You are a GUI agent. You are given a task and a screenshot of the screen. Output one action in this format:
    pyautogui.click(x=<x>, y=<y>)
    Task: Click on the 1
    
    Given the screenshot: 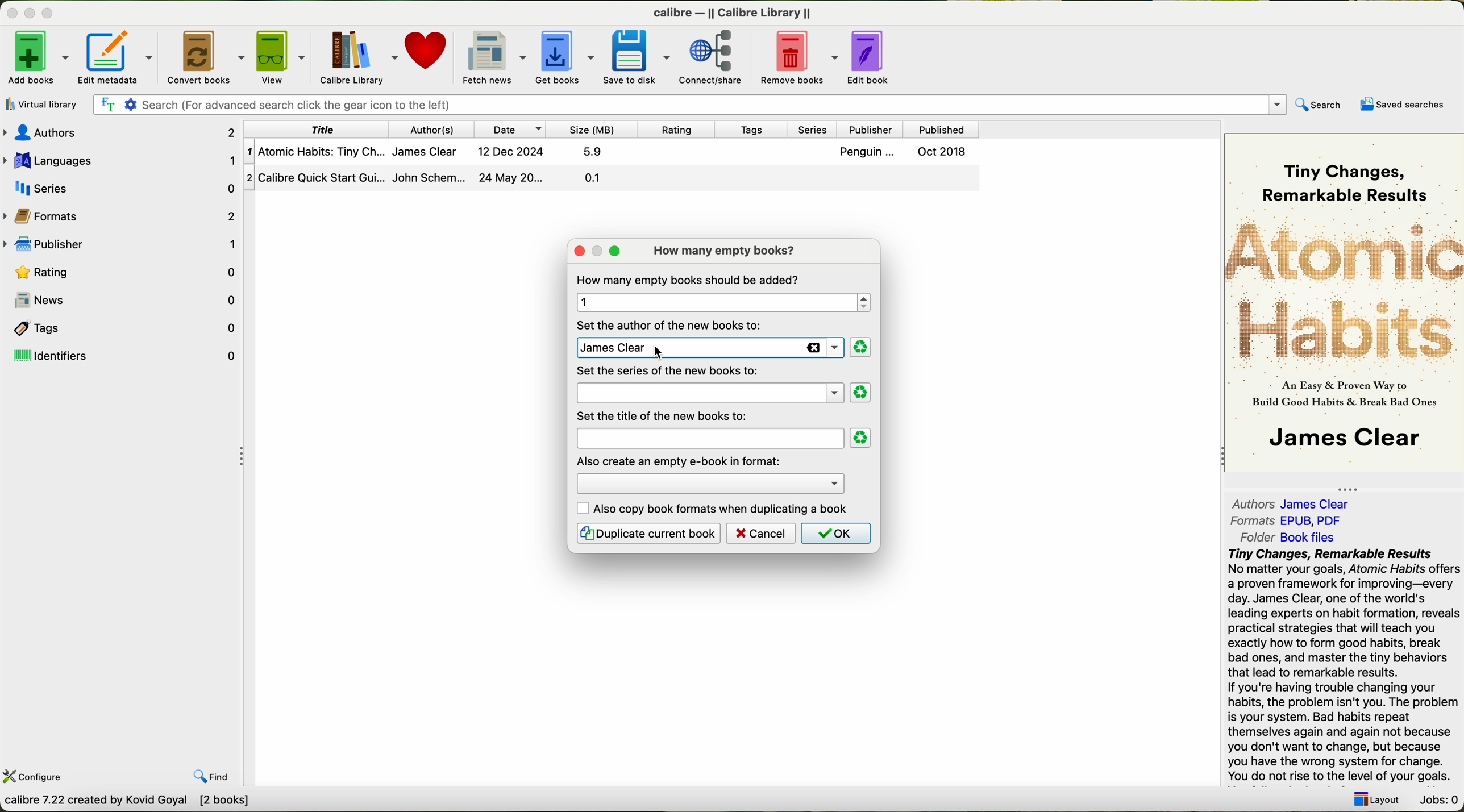 What is the action you would take?
    pyautogui.click(x=720, y=302)
    